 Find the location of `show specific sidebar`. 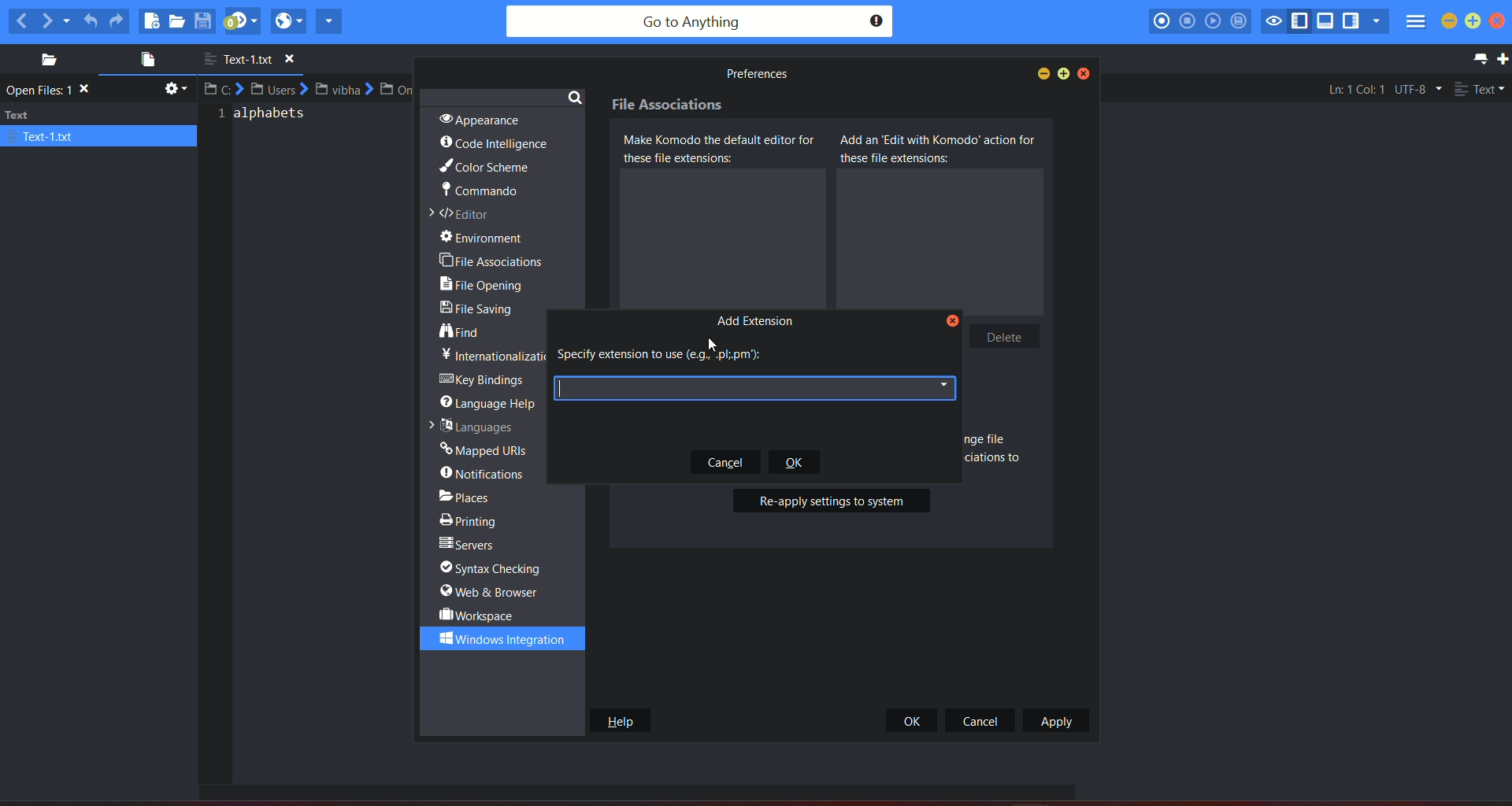

show specific sidebar is located at coordinates (1376, 21).